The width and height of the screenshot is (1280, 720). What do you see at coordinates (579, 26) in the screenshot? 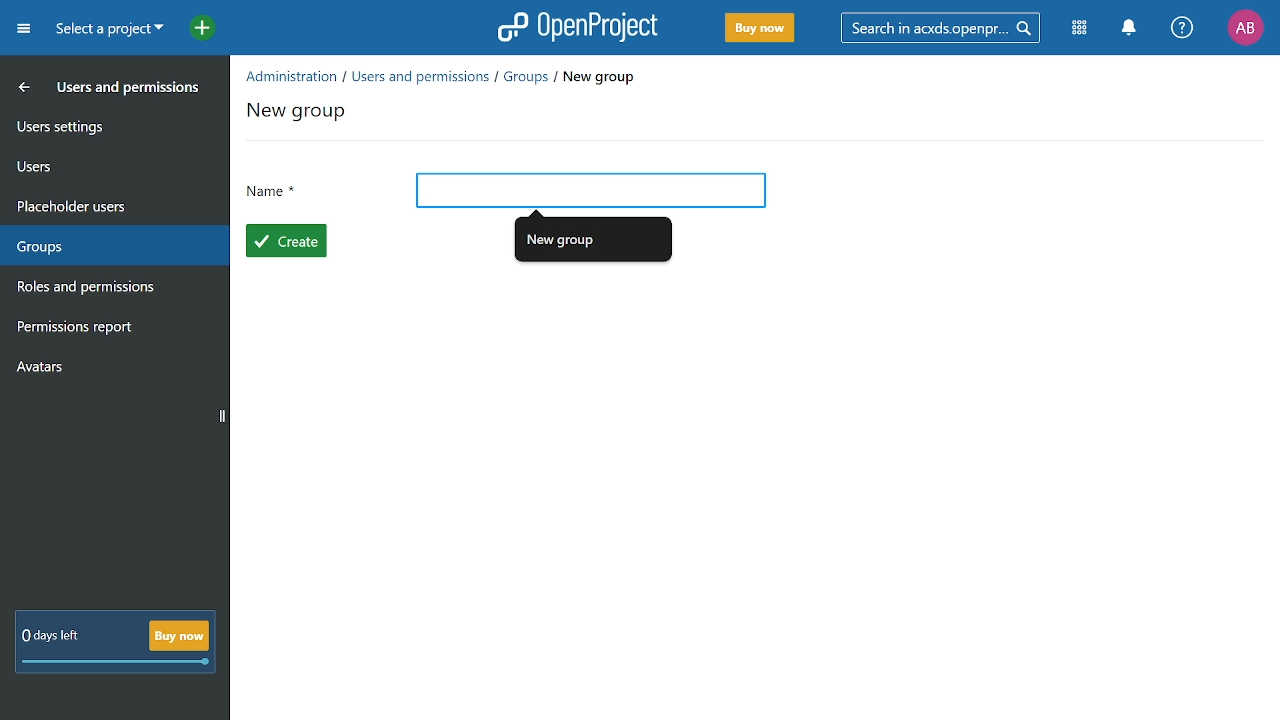
I see `OpenProject logo` at bounding box center [579, 26].